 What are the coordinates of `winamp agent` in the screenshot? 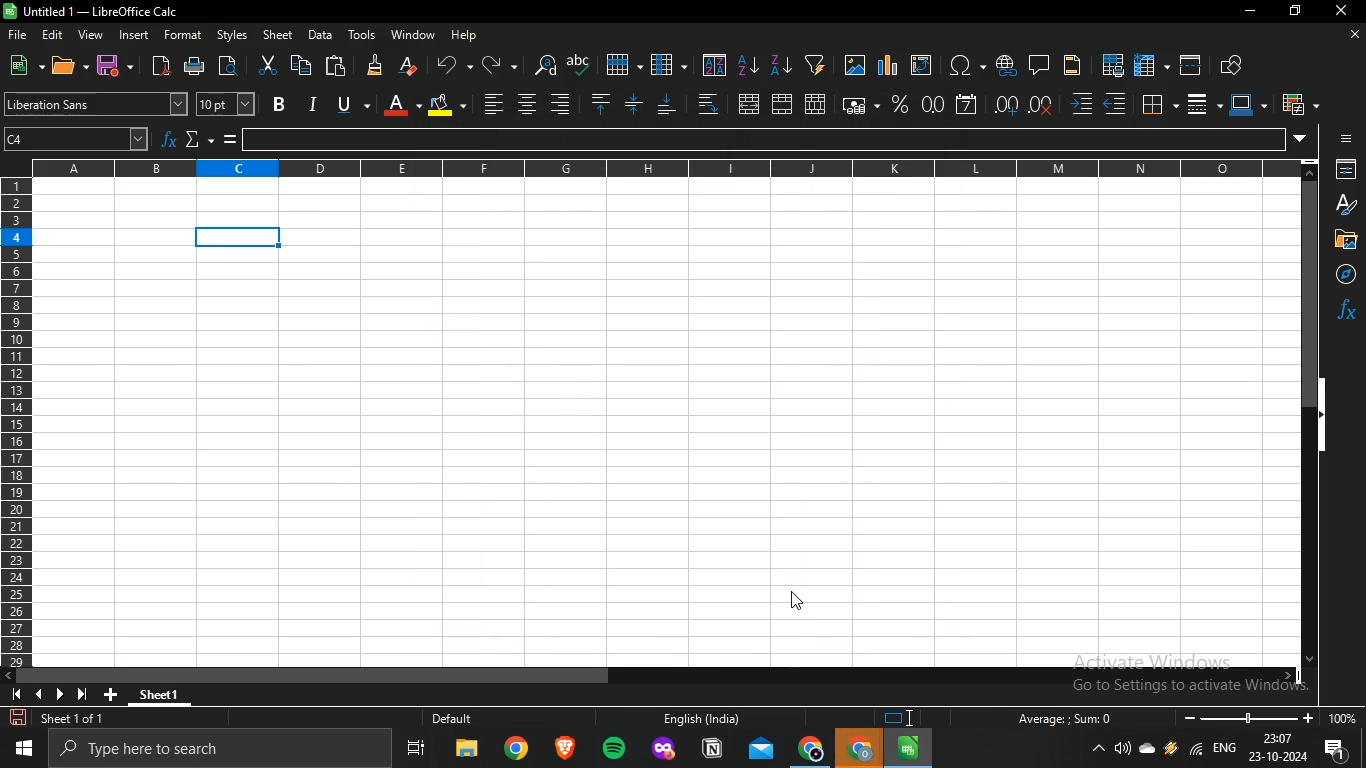 It's located at (1171, 754).